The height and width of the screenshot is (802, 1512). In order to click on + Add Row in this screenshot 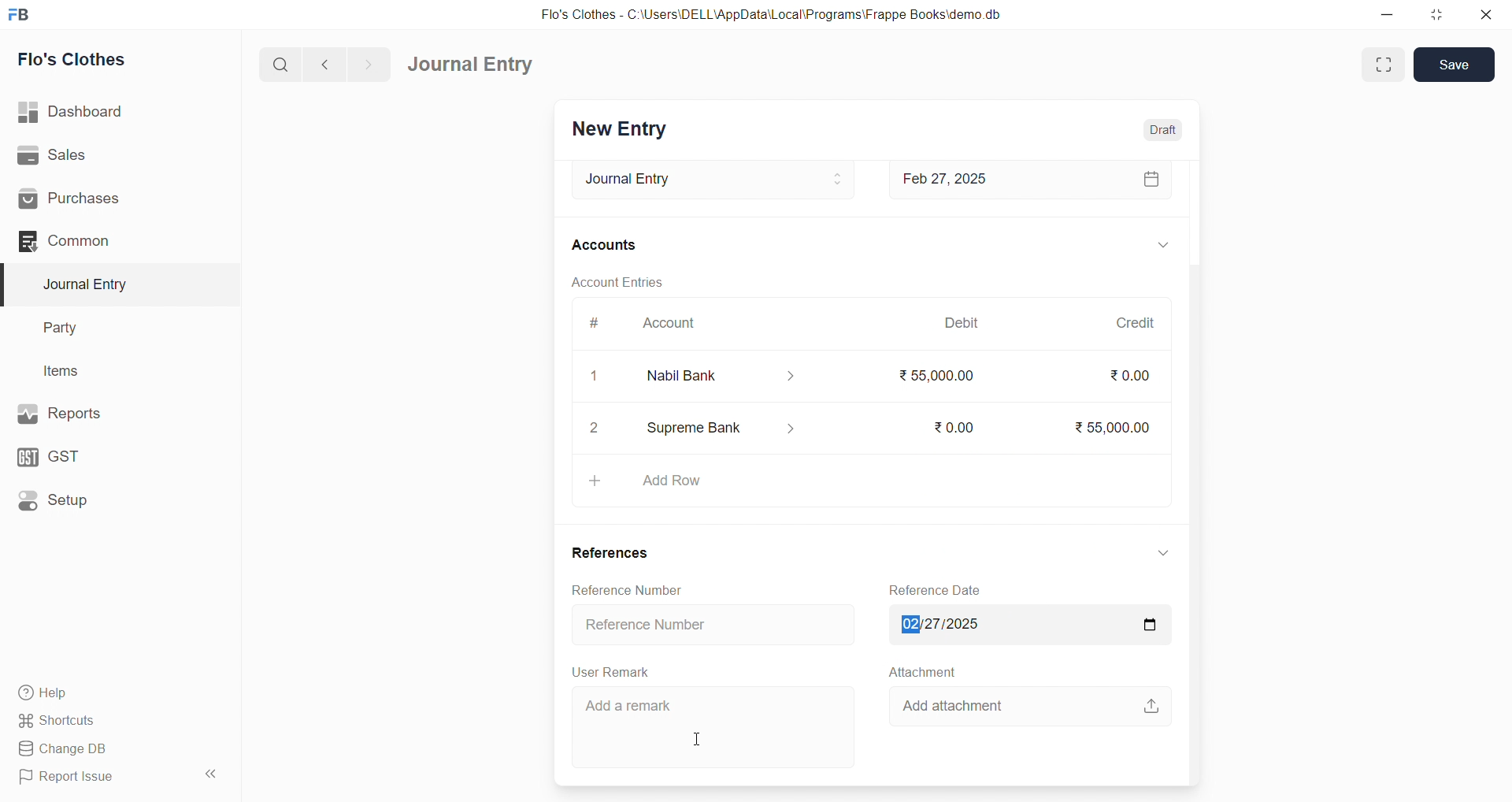, I will do `click(869, 481)`.